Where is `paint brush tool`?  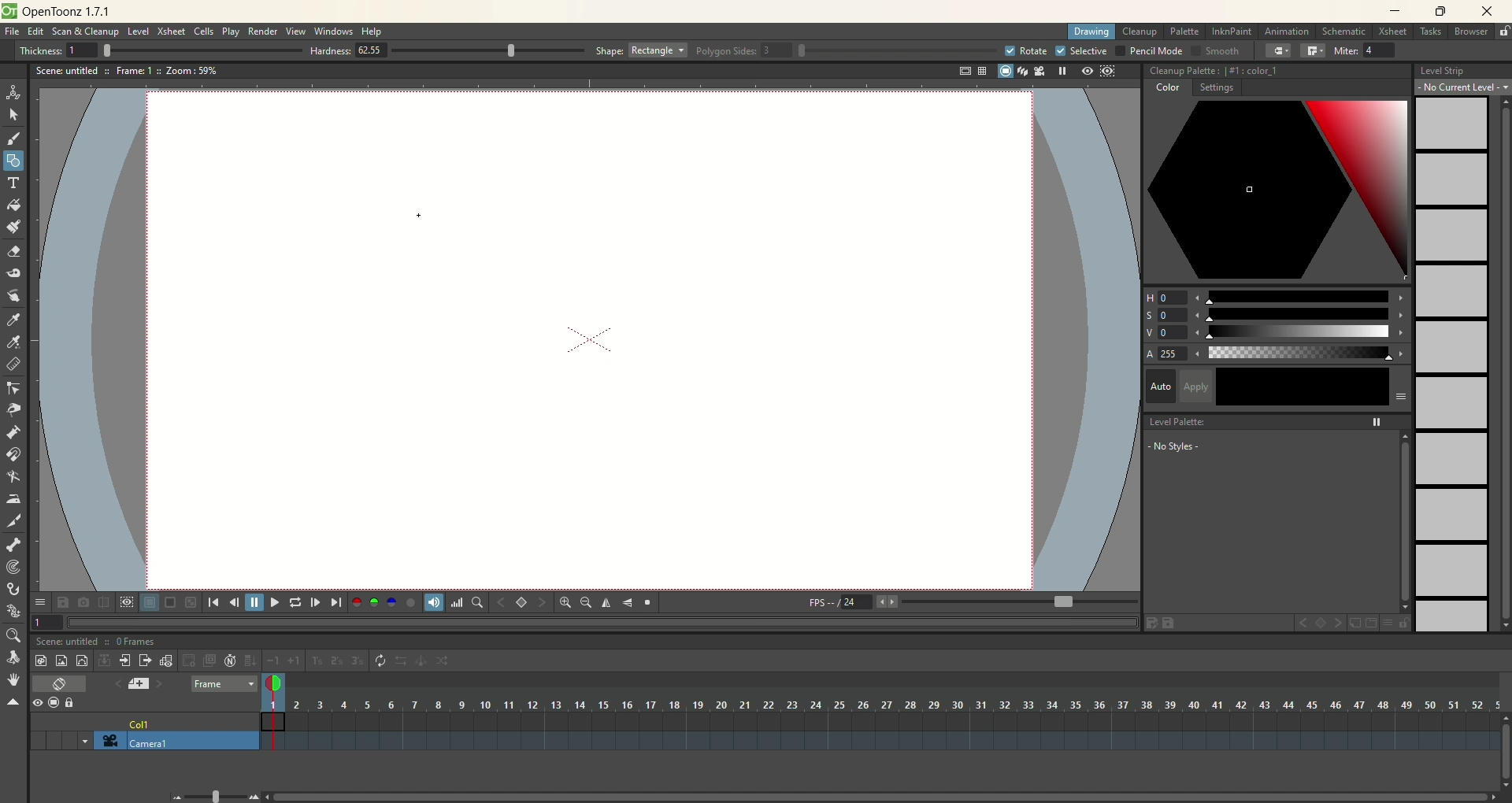 paint brush tool is located at coordinates (13, 225).